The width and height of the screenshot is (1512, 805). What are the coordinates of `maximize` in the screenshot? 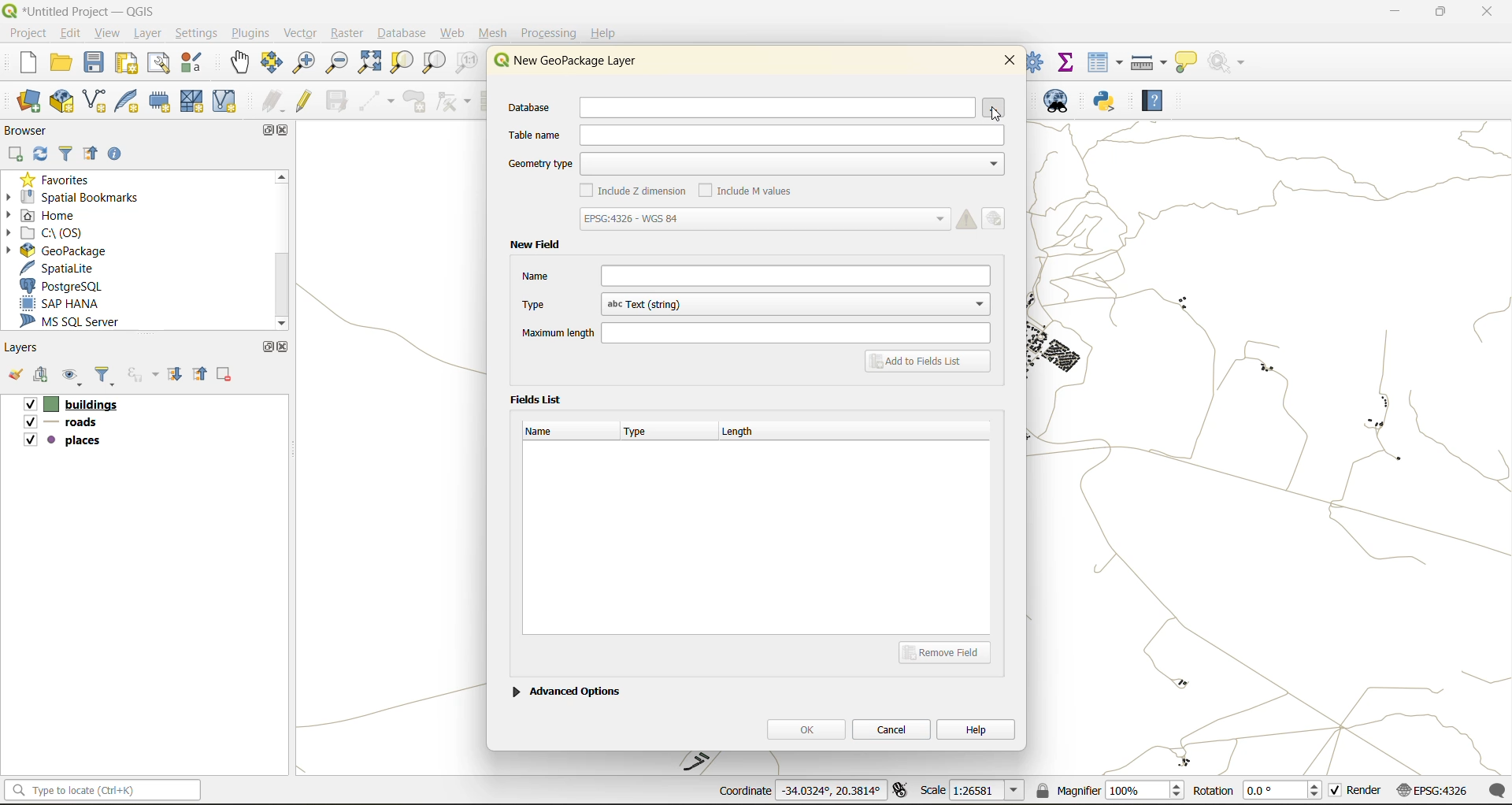 It's located at (265, 130).